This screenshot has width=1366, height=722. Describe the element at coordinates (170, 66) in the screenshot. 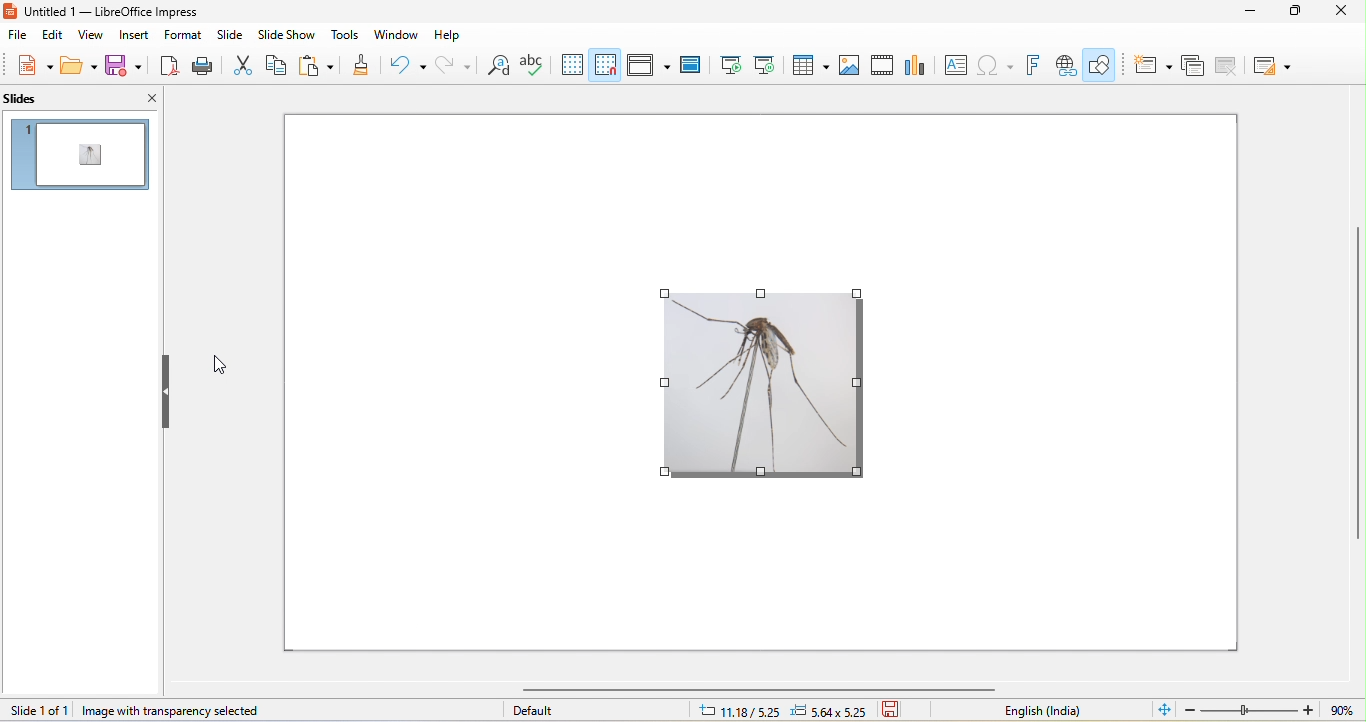

I see `File` at that location.